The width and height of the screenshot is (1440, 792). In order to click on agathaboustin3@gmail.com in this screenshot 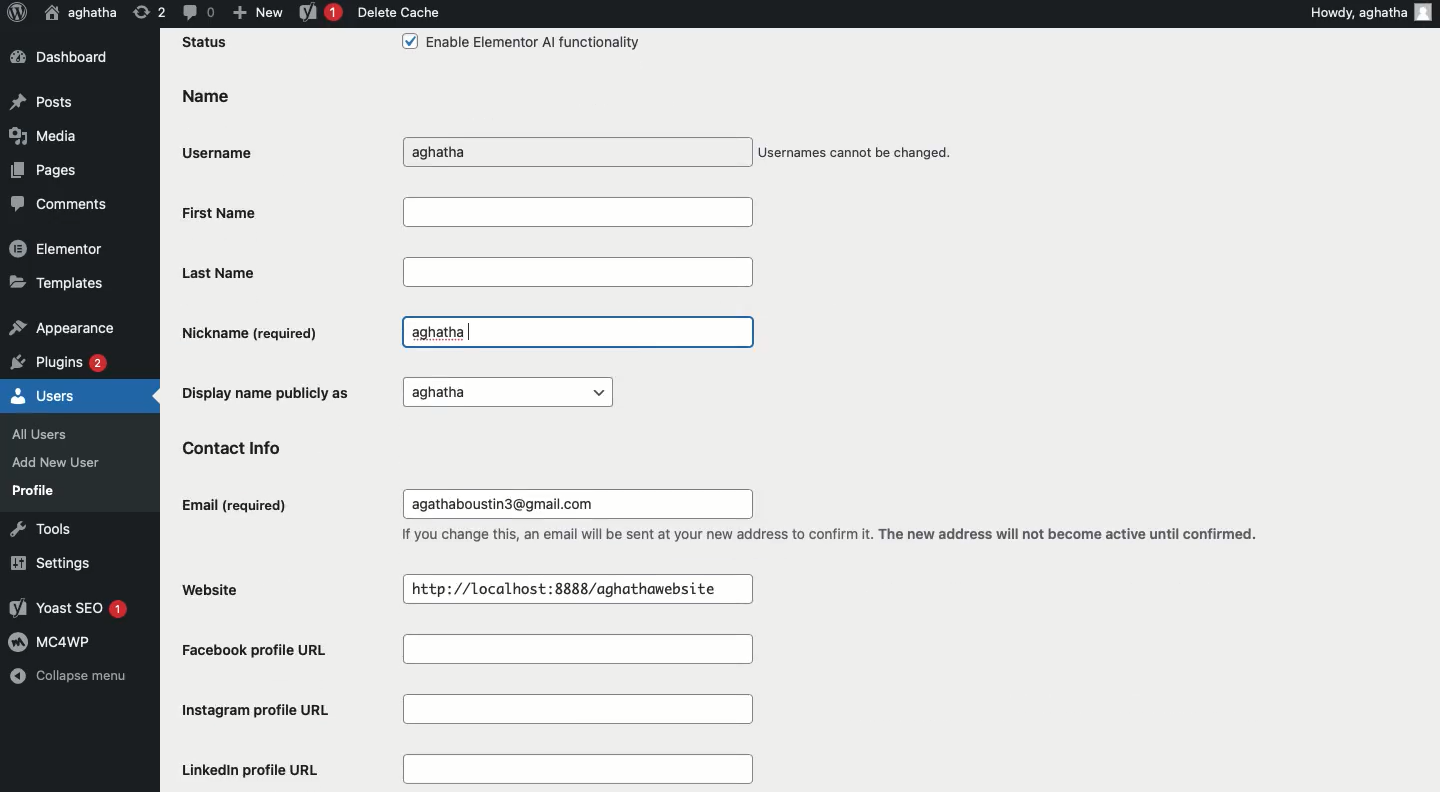, I will do `click(510, 503)`.